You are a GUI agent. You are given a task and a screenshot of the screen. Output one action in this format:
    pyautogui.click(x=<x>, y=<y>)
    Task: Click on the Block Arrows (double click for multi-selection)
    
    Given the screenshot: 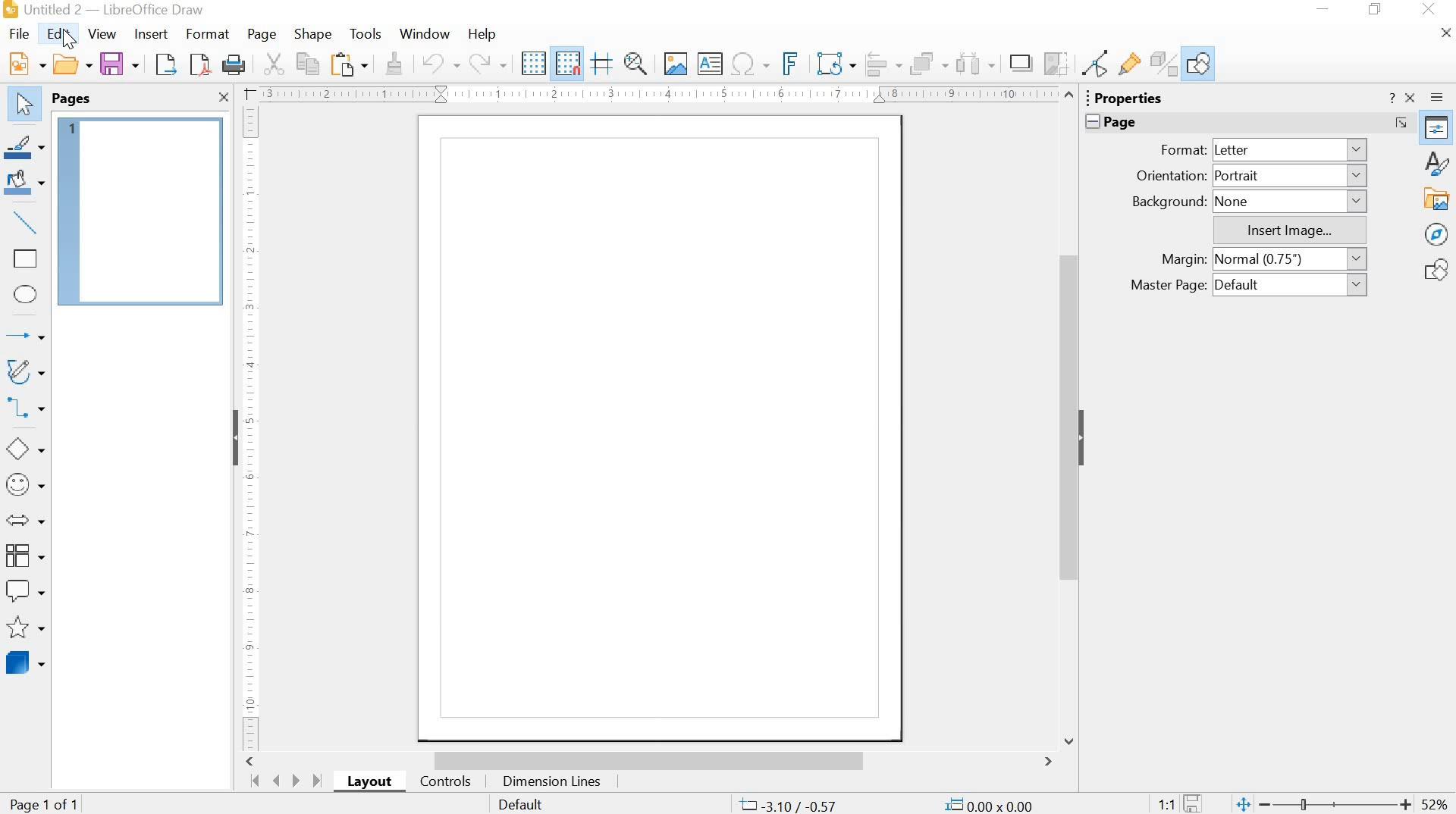 What is the action you would take?
    pyautogui.click(x=27, y=521)
    